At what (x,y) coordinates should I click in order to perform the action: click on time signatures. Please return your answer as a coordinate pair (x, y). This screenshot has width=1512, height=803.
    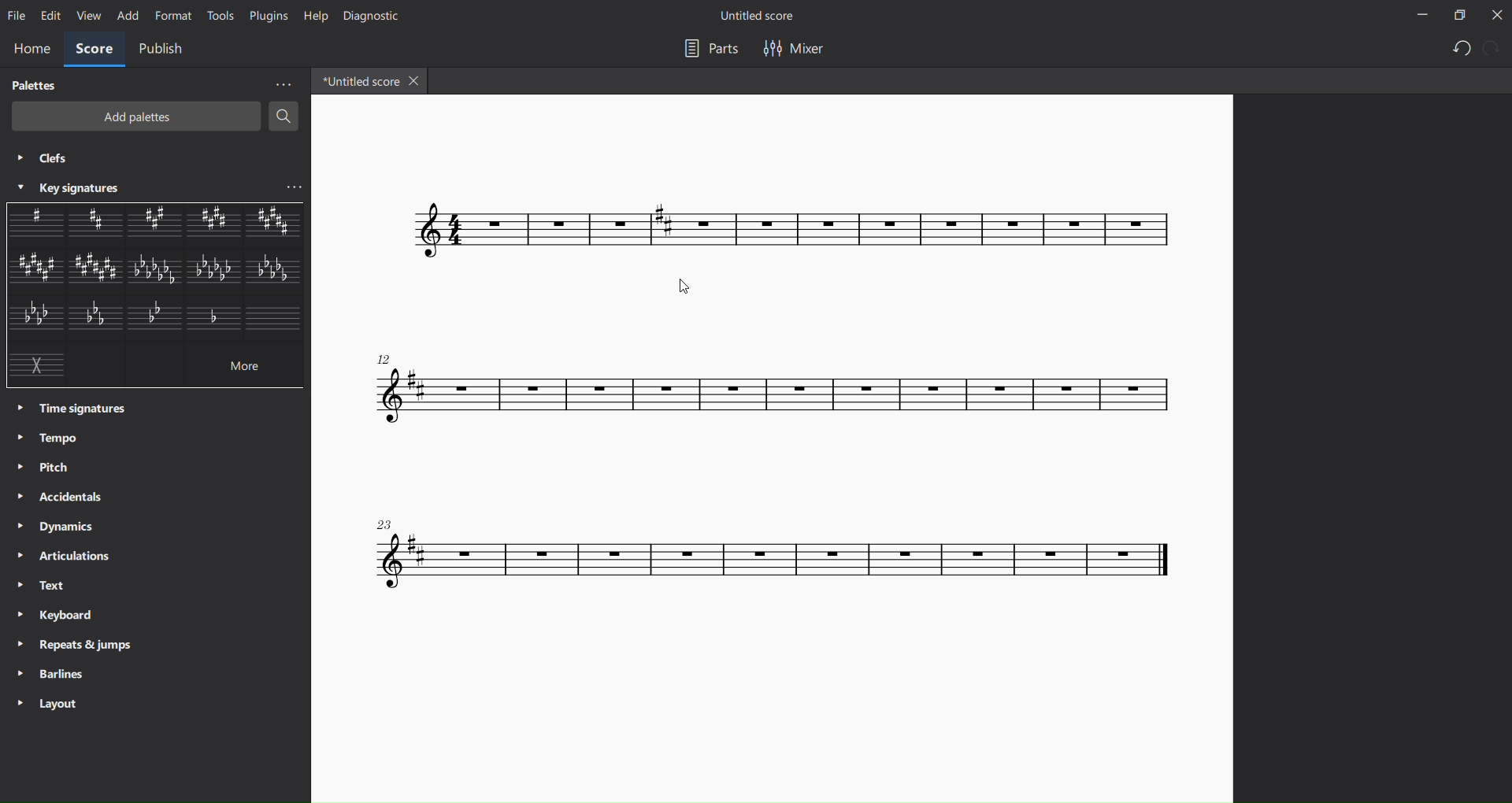
    Looking at the image, I should click on (68, 409).